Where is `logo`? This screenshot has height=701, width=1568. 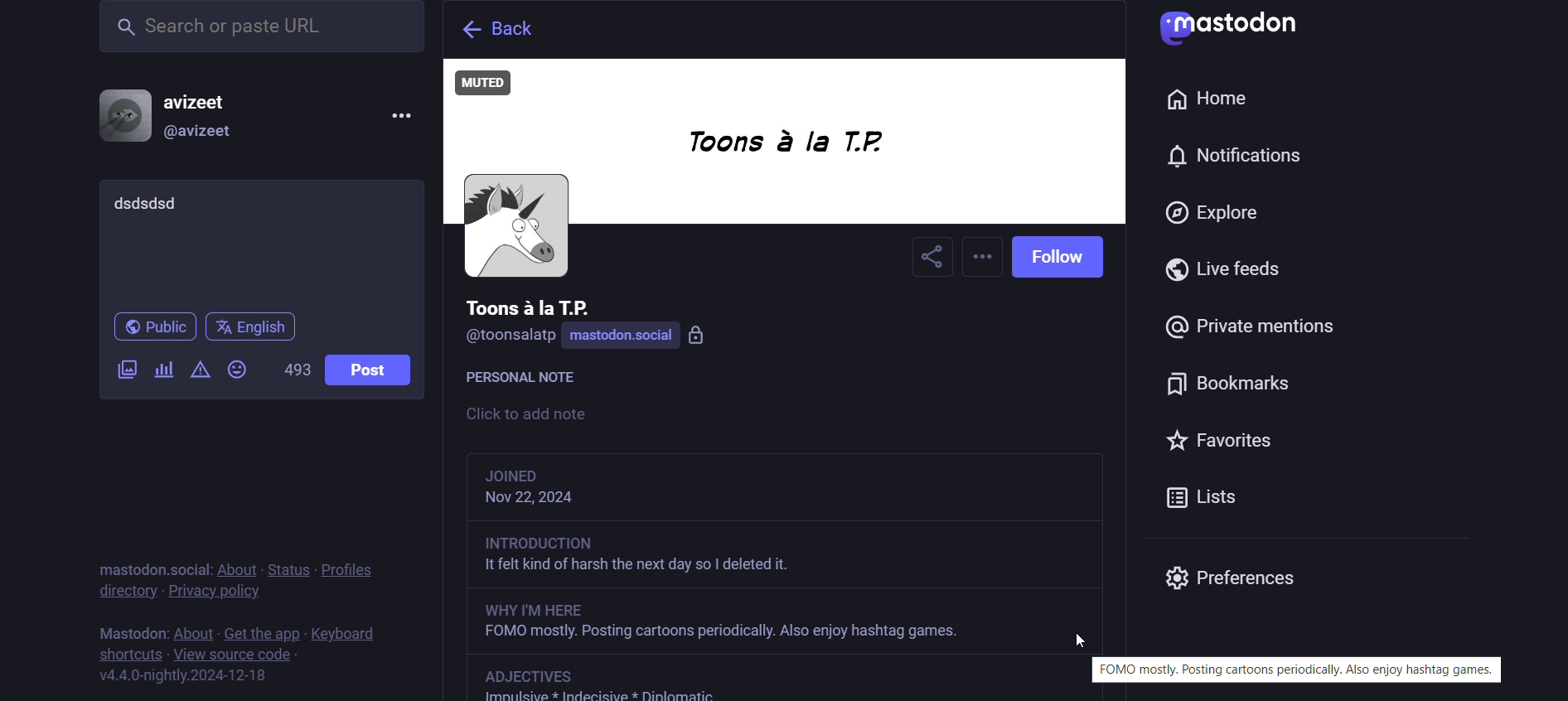
logo is located at coordinates (1240, 28).